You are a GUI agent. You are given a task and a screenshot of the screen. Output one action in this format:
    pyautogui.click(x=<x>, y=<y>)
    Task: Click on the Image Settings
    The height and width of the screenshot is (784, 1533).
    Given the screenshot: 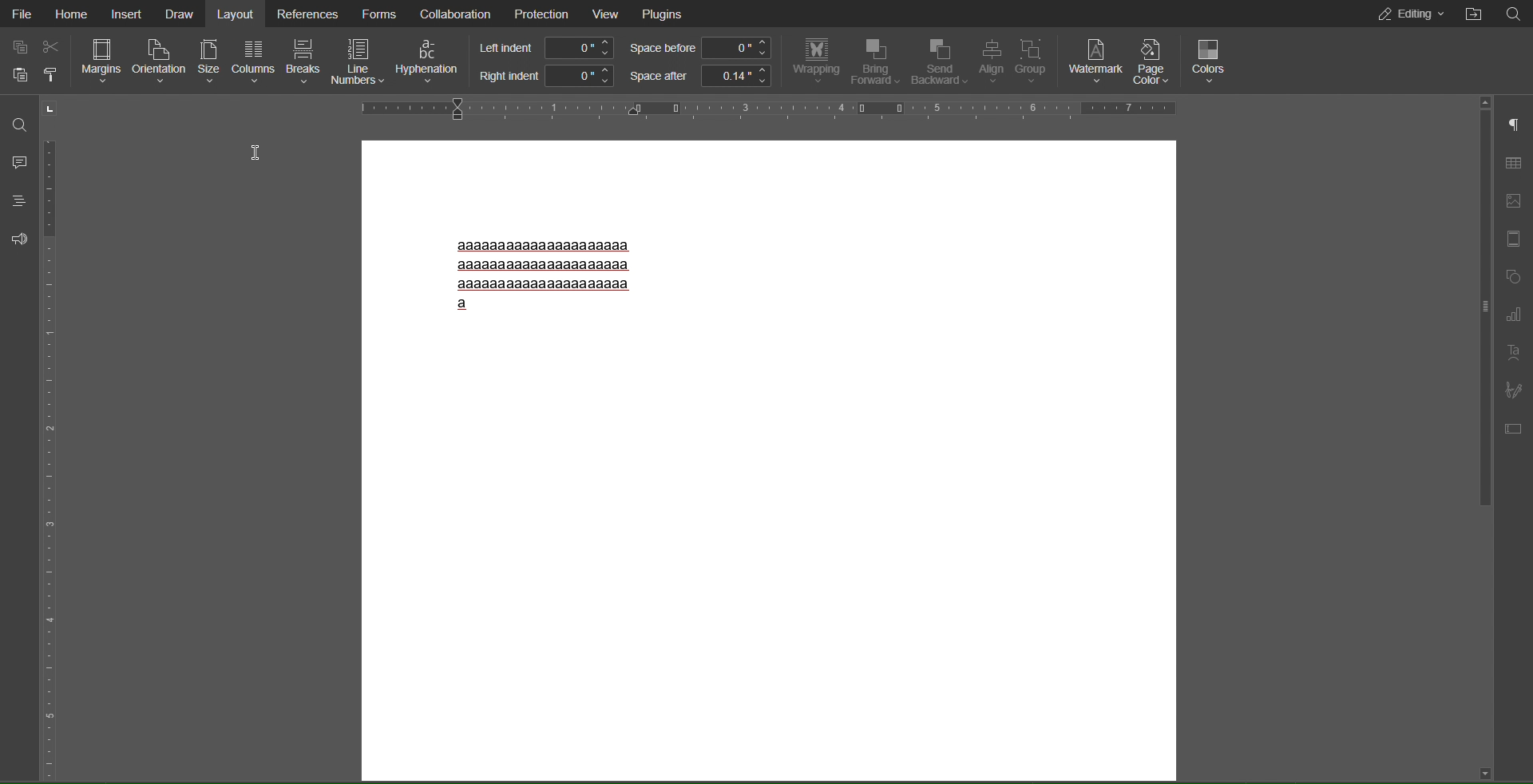 What is the action you would take?
    pyautogui.click(x=1515, y=201)
    